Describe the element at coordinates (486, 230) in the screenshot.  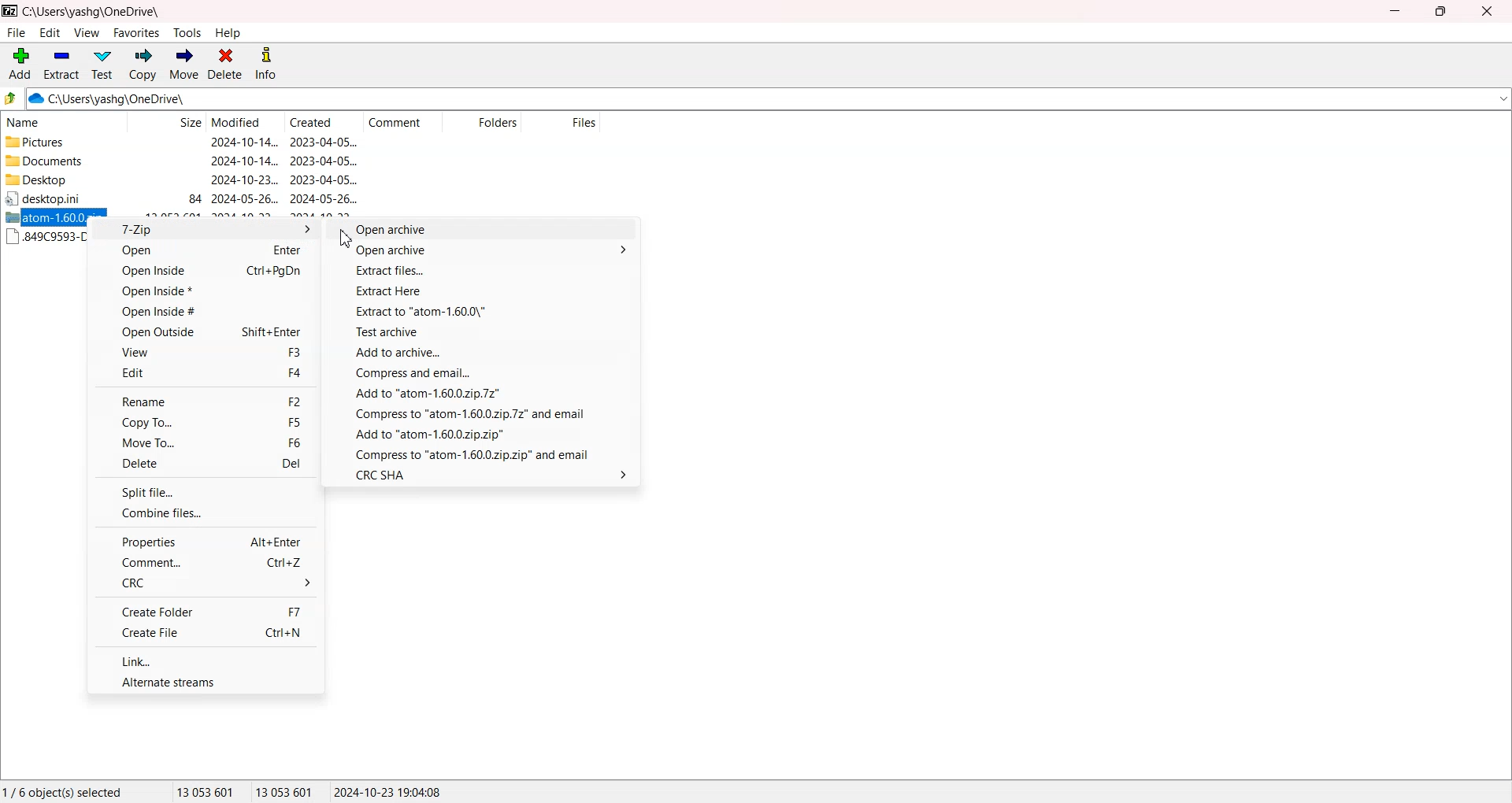
I see `Open archive` at that location.